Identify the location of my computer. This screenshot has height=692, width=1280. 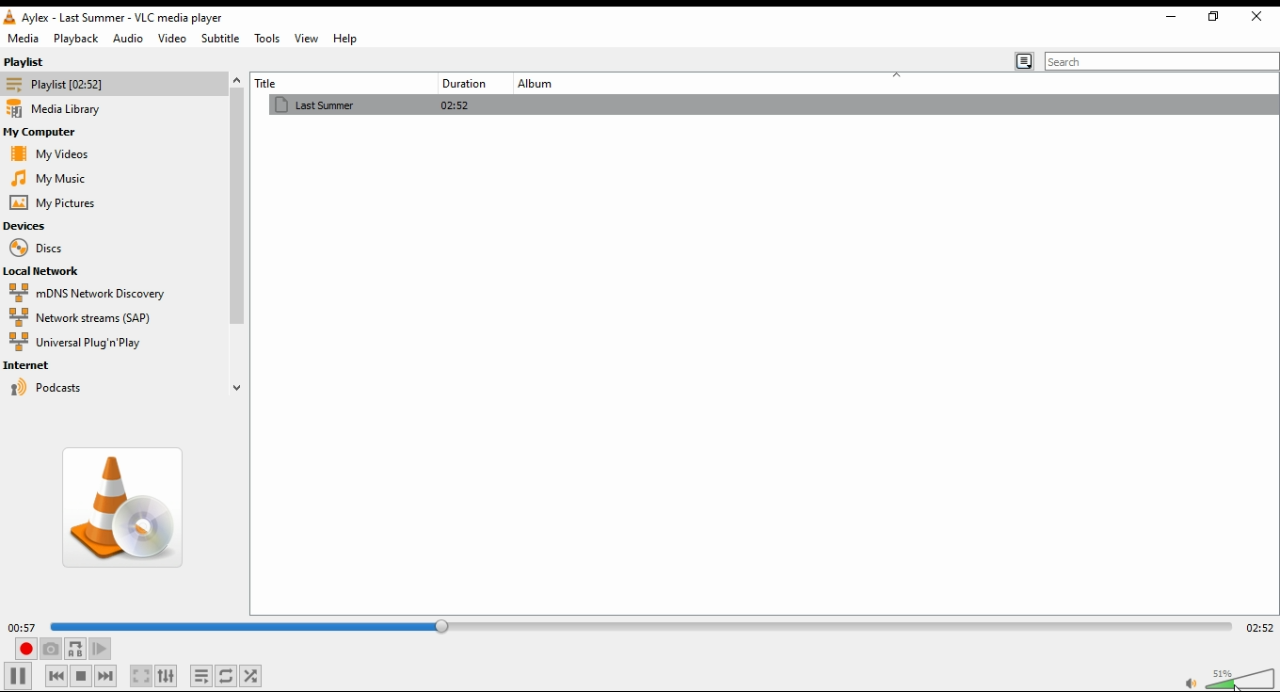
(43, 131).